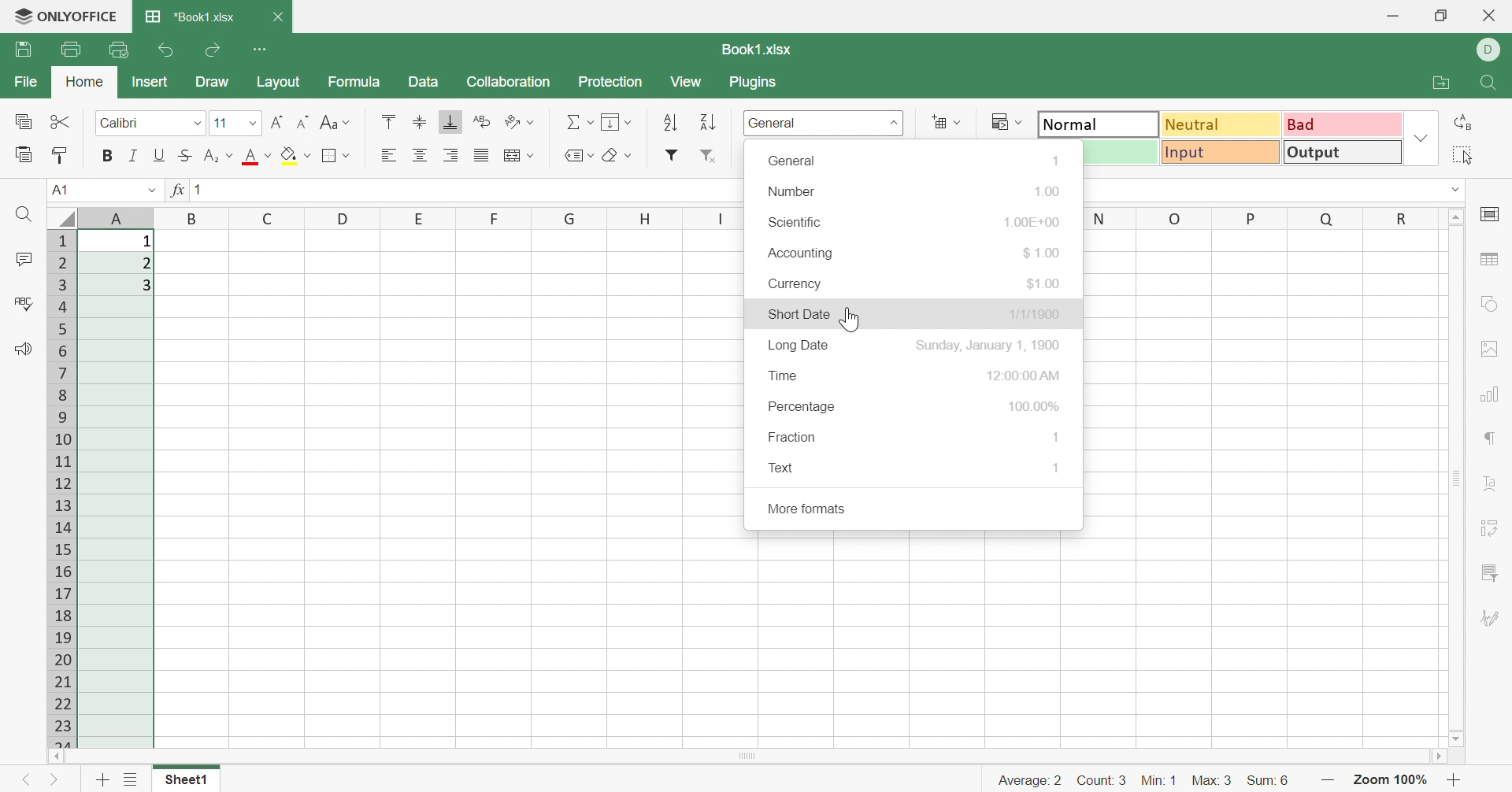 This screenshot has width=1512, height=792. I want to click on Open file location, so click(1439, 83).